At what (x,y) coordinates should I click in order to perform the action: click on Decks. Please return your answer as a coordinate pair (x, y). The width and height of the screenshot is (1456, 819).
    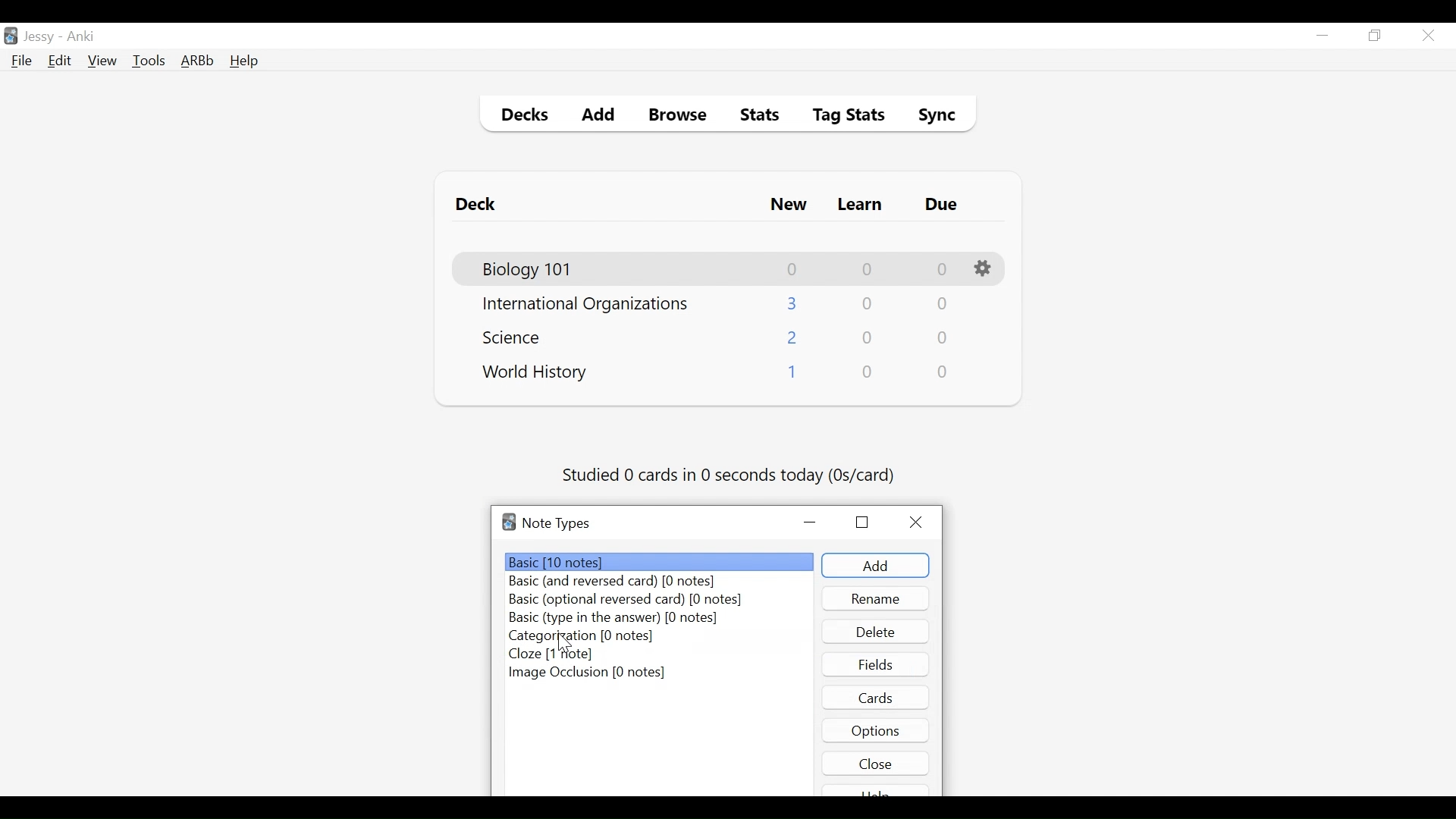
    Looking at the image, I should click on (521, 117).